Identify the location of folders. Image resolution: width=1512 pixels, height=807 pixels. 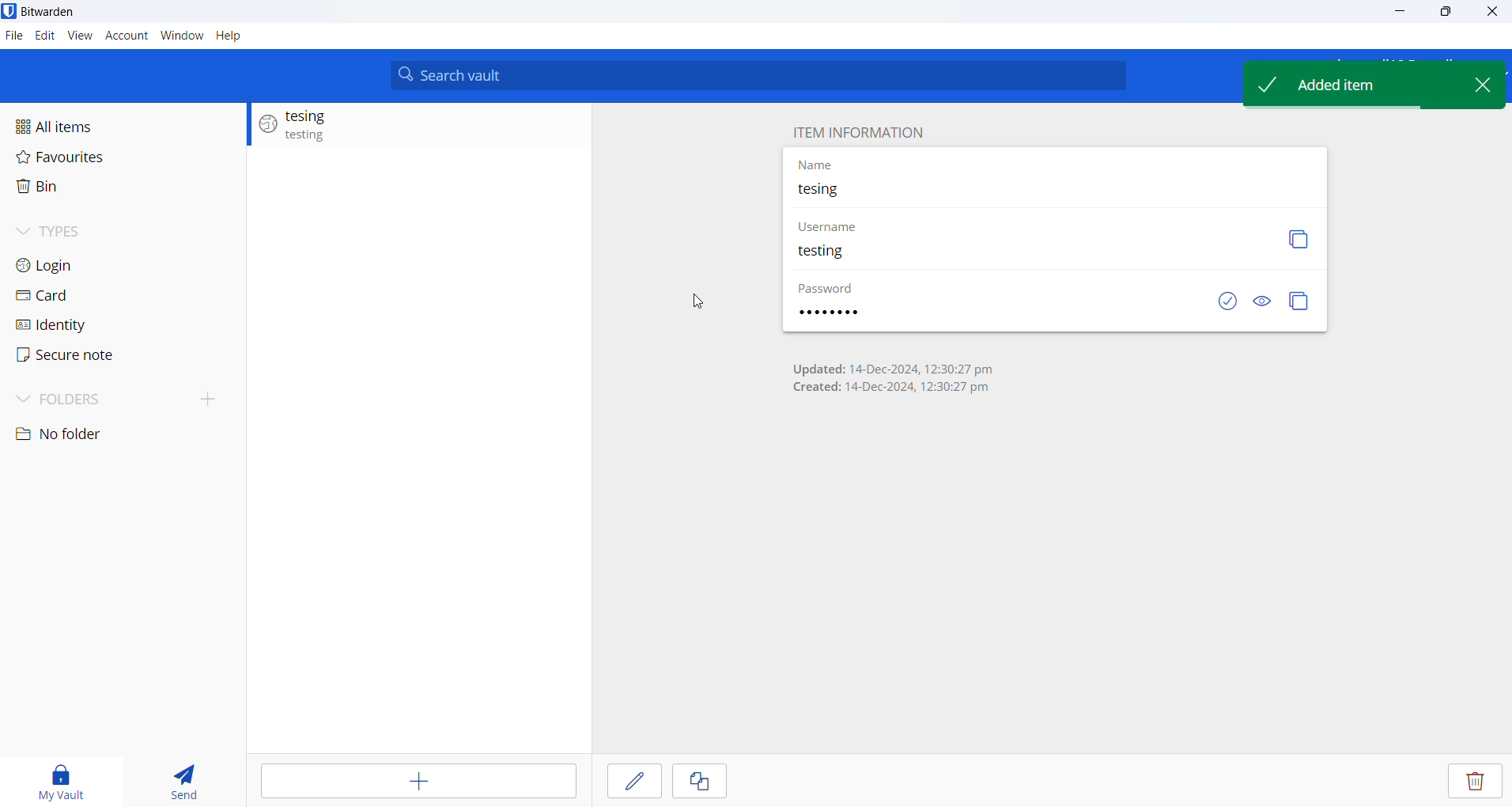
(95, 401).